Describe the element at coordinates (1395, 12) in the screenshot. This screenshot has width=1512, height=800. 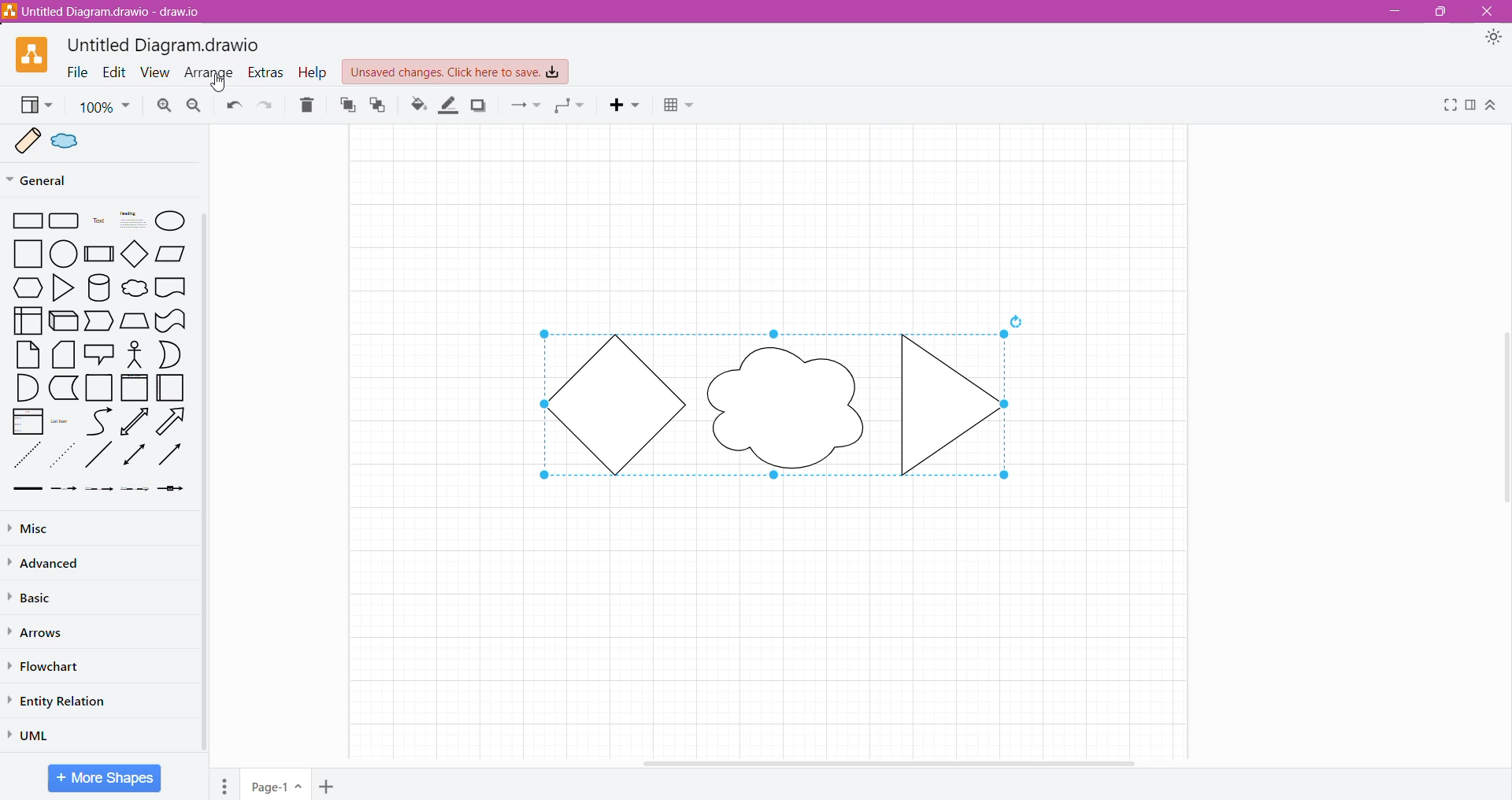
I see `Minimize` at that location.